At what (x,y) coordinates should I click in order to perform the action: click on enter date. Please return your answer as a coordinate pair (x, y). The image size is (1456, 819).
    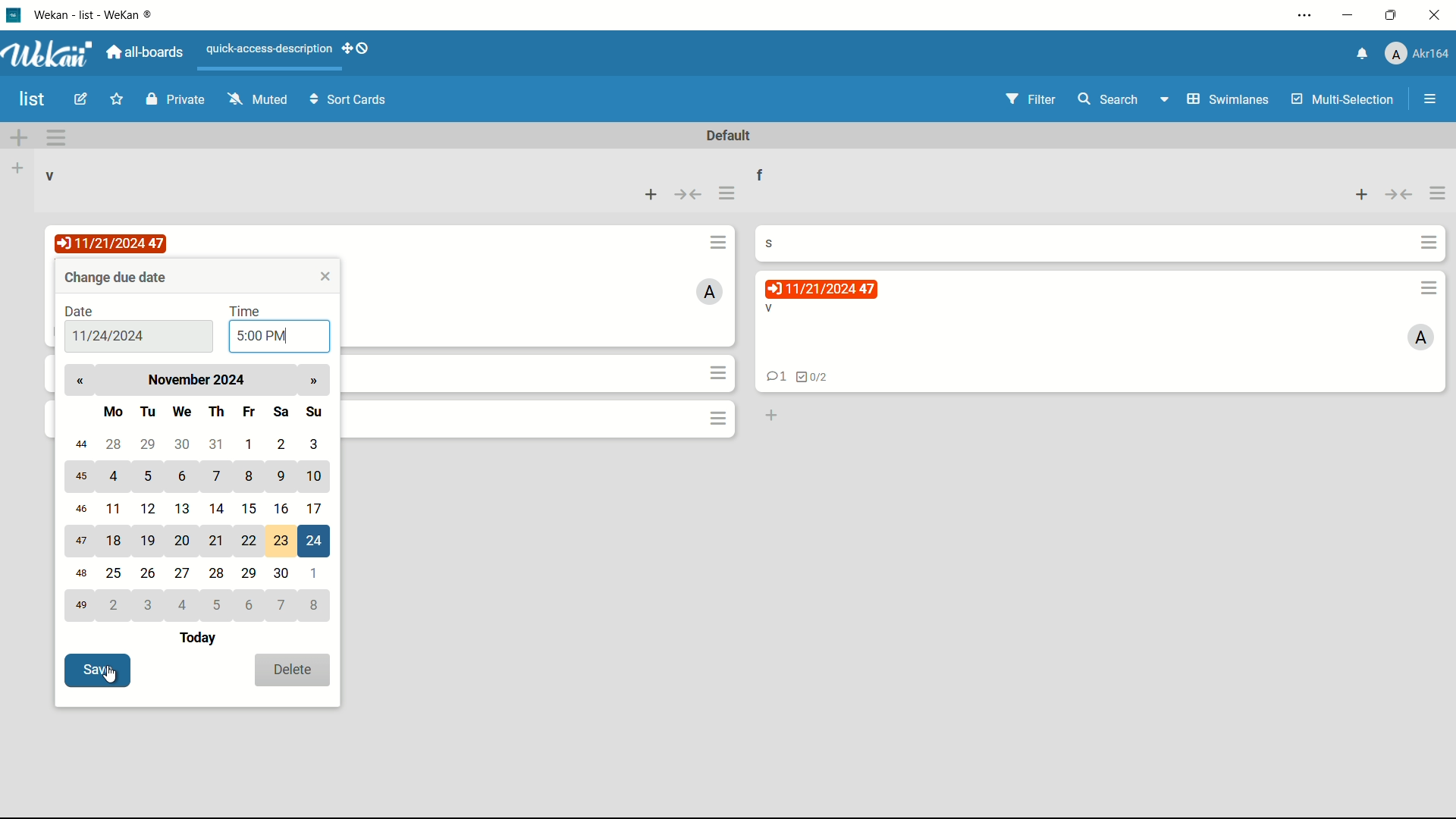
    Looking at the image, I should click on (108, 337).